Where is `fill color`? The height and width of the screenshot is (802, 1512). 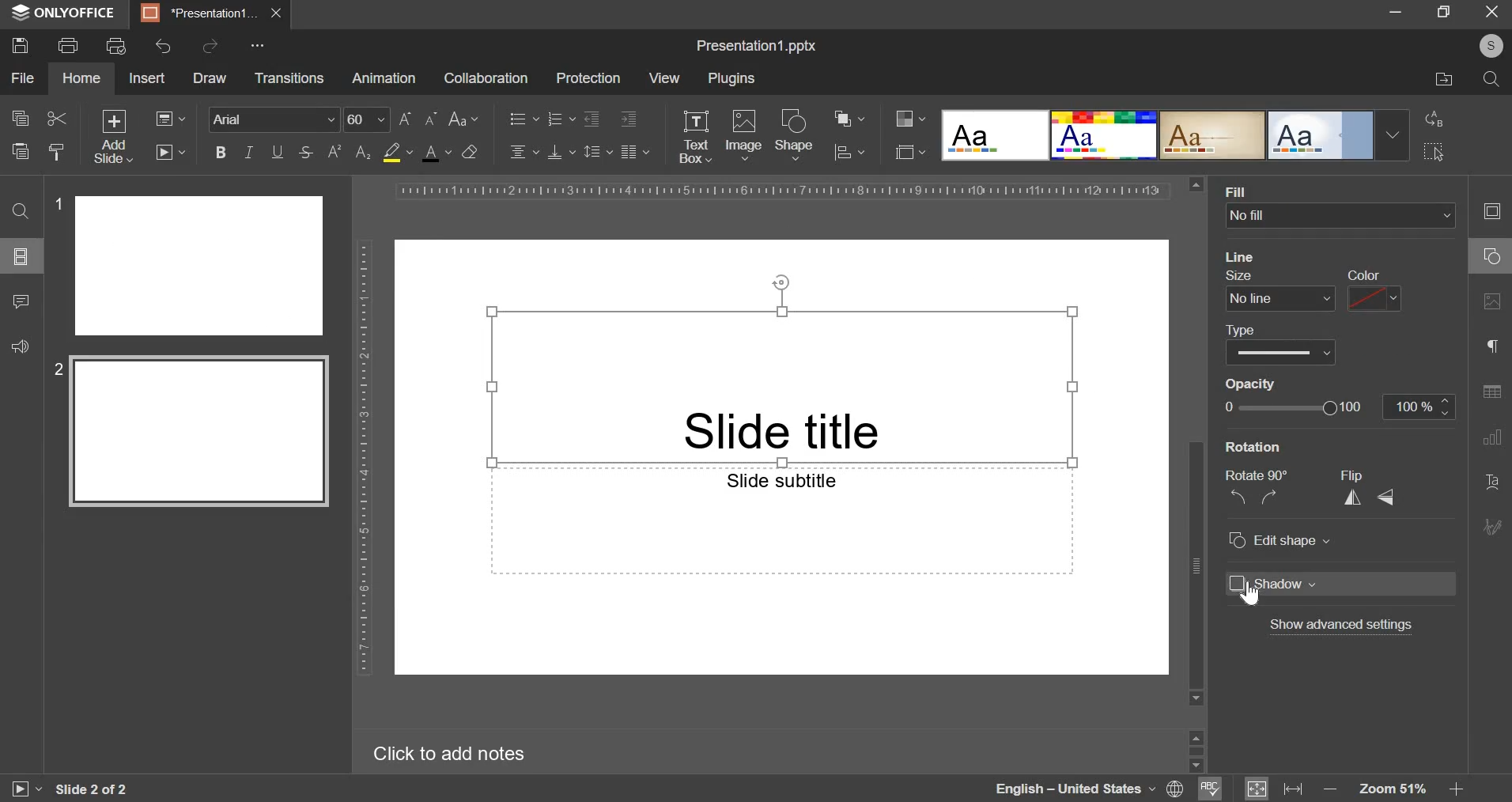 fill color is located at coordinates (397, 153).